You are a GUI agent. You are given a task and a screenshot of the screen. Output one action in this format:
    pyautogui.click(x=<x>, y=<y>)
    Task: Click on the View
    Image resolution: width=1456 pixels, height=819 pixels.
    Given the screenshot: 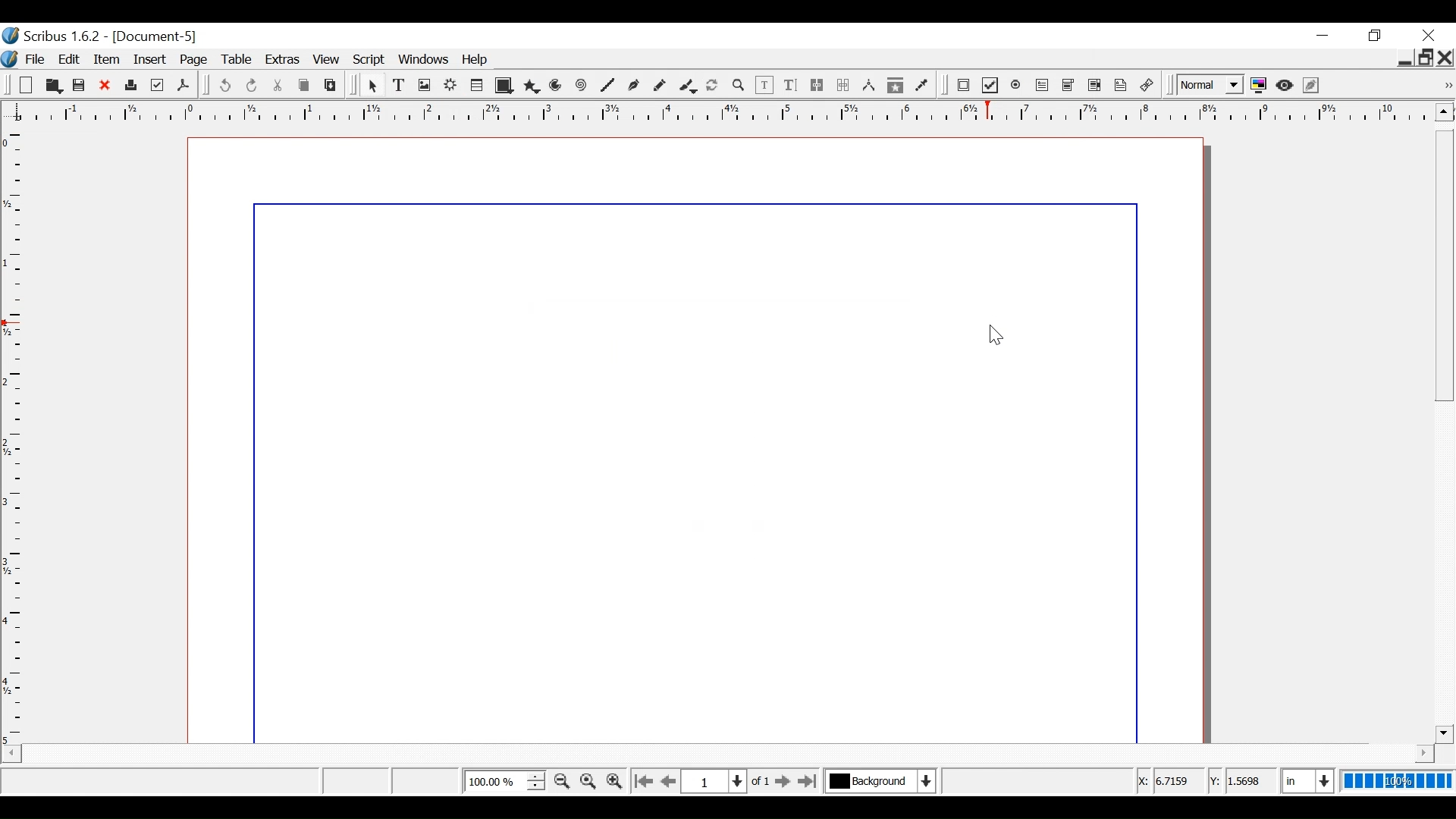 What is the action you would take?
    pyautogui.click(x=327, y=61)
    